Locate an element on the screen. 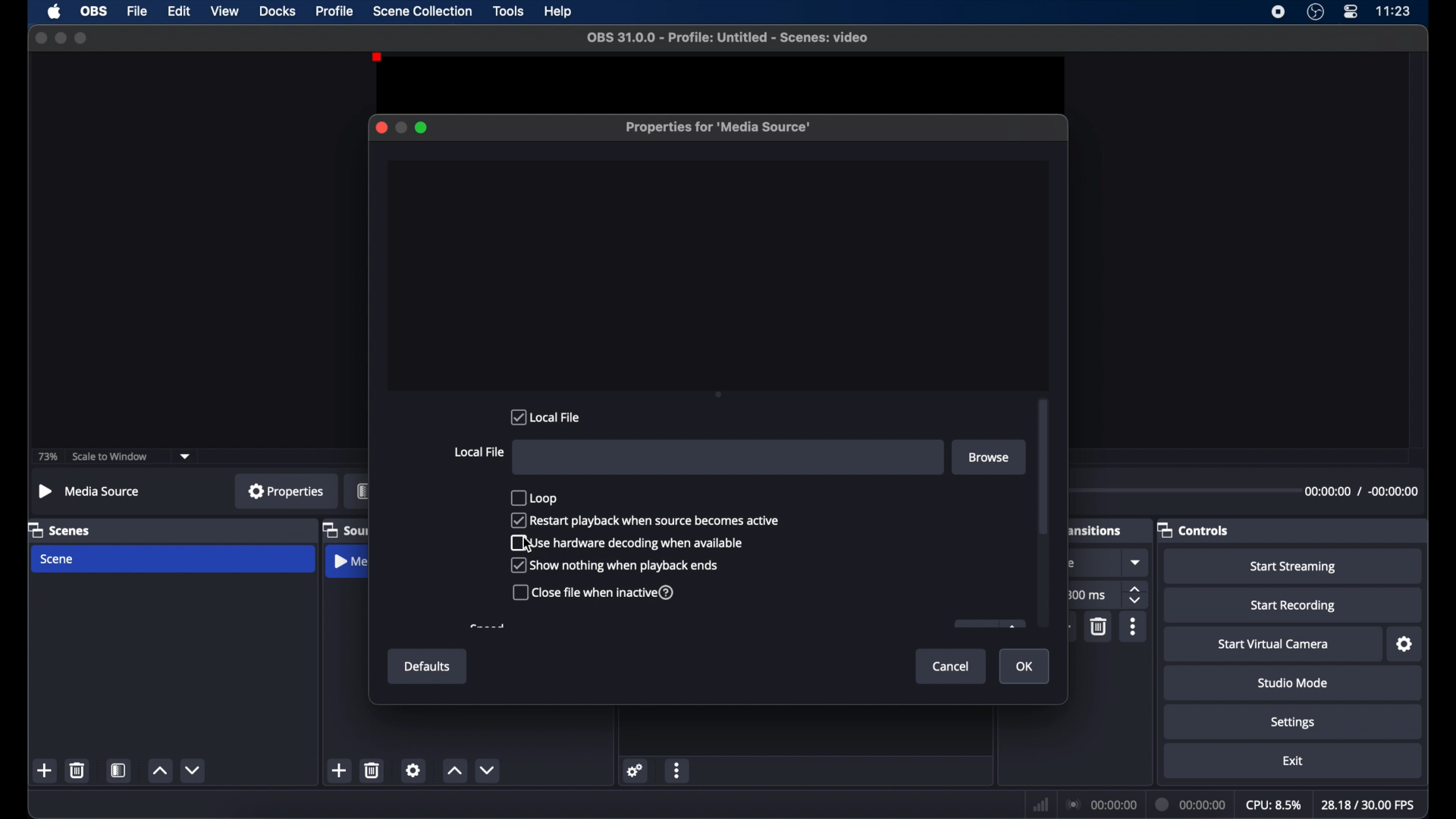 Image resolution: width=1456 pixels, height=819 pixels. more options is located at coordinates (1133, 626).